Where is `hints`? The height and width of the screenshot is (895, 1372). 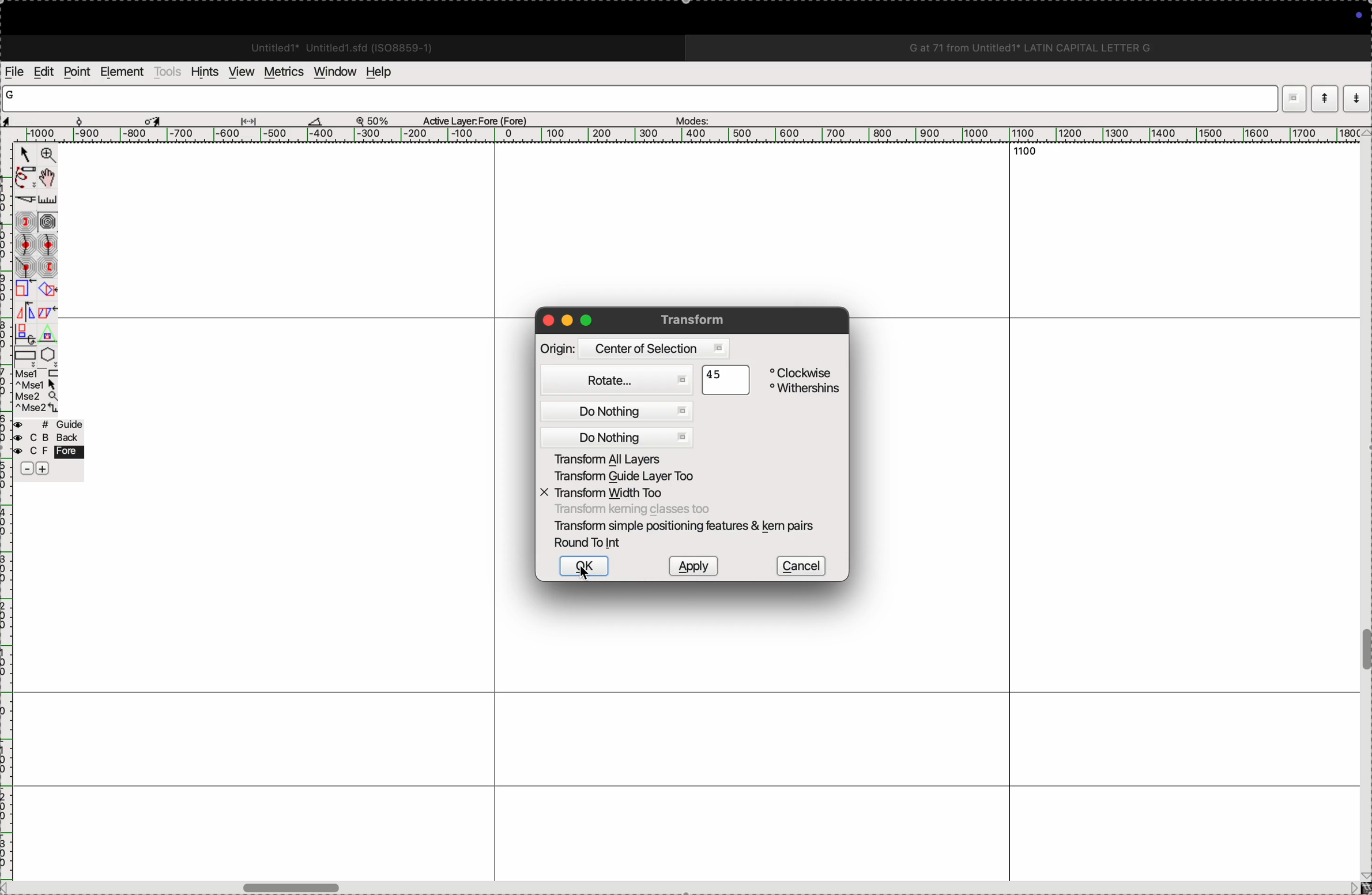 hints is located at coordinates (205, 73).